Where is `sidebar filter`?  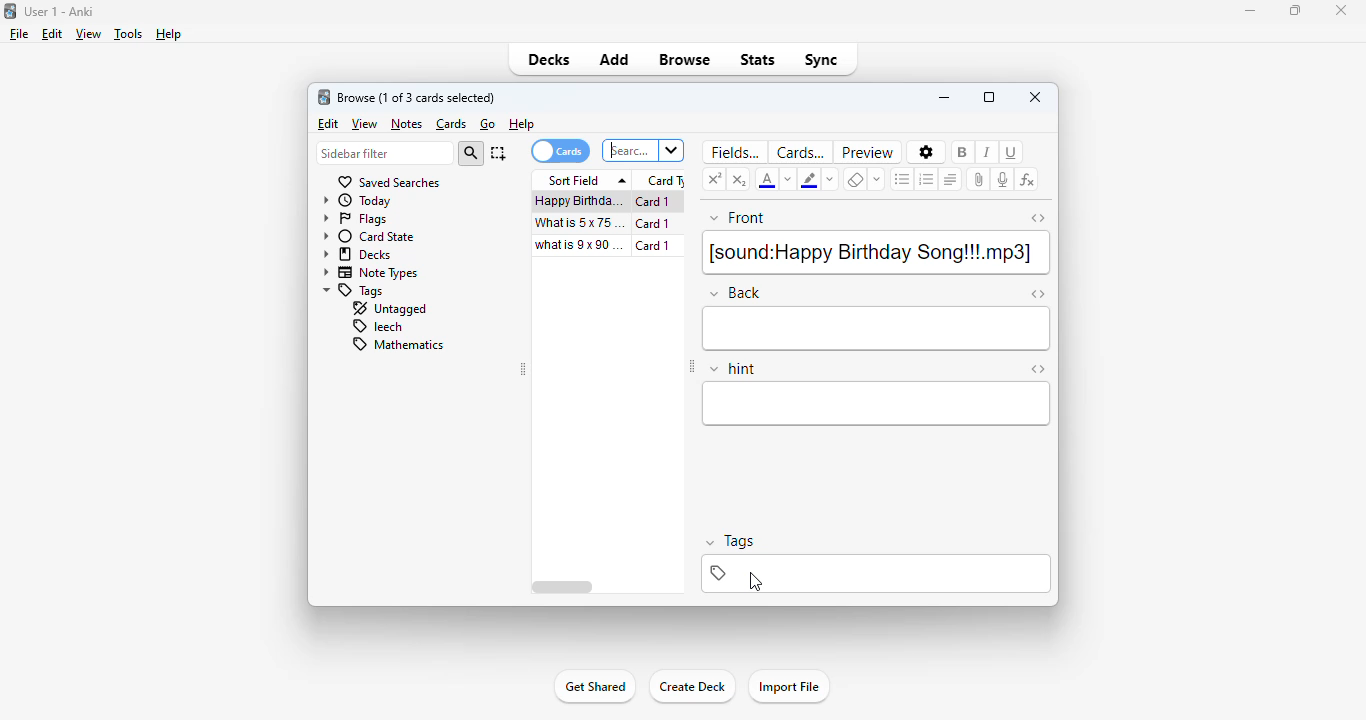 sidebar filter is located at coordinates (384, 154).